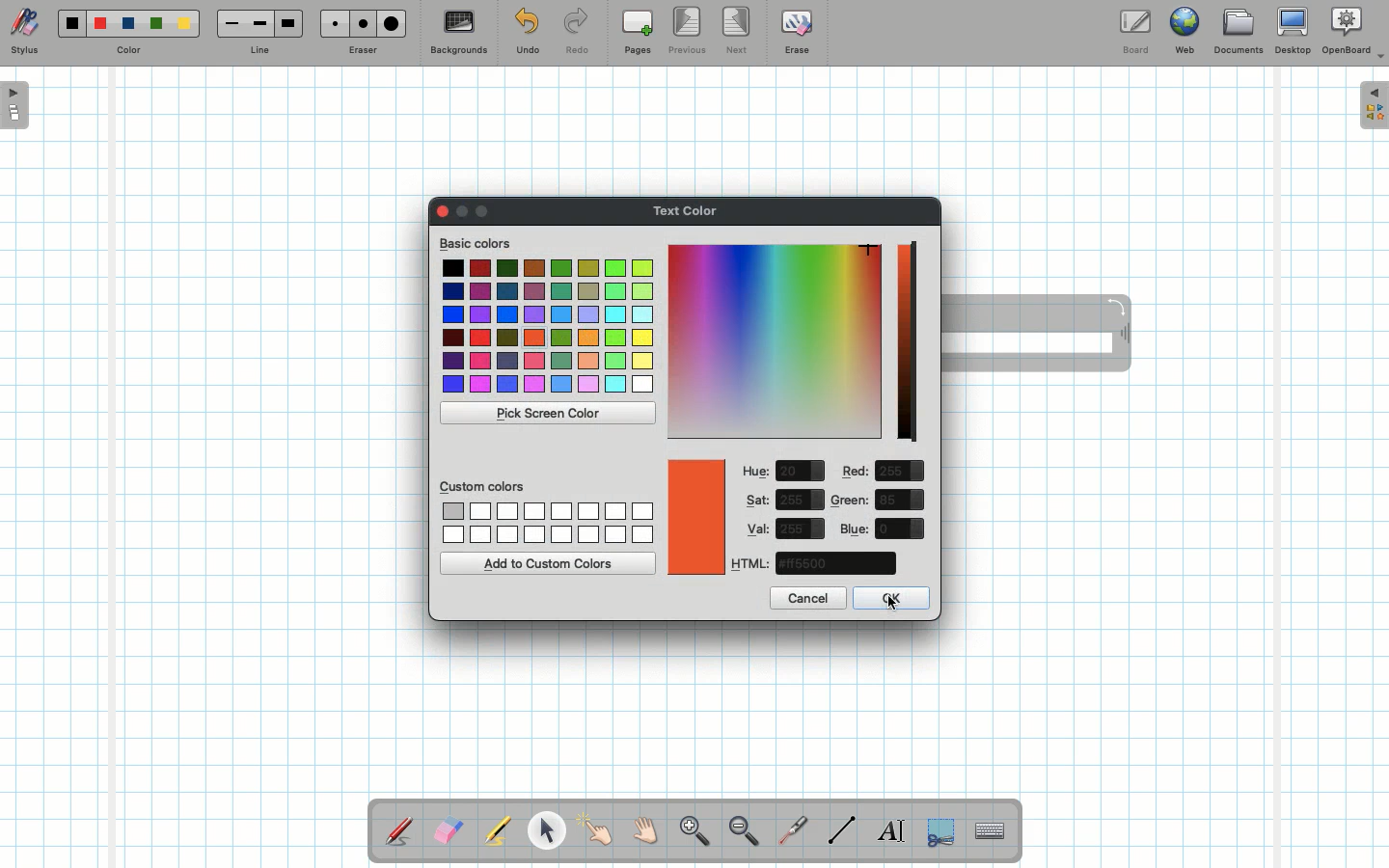 The width and height of the screenshot is (1389, 868). Describe the element at coordinates (129, 24) in the screenshot. I see `Blue` at that location.